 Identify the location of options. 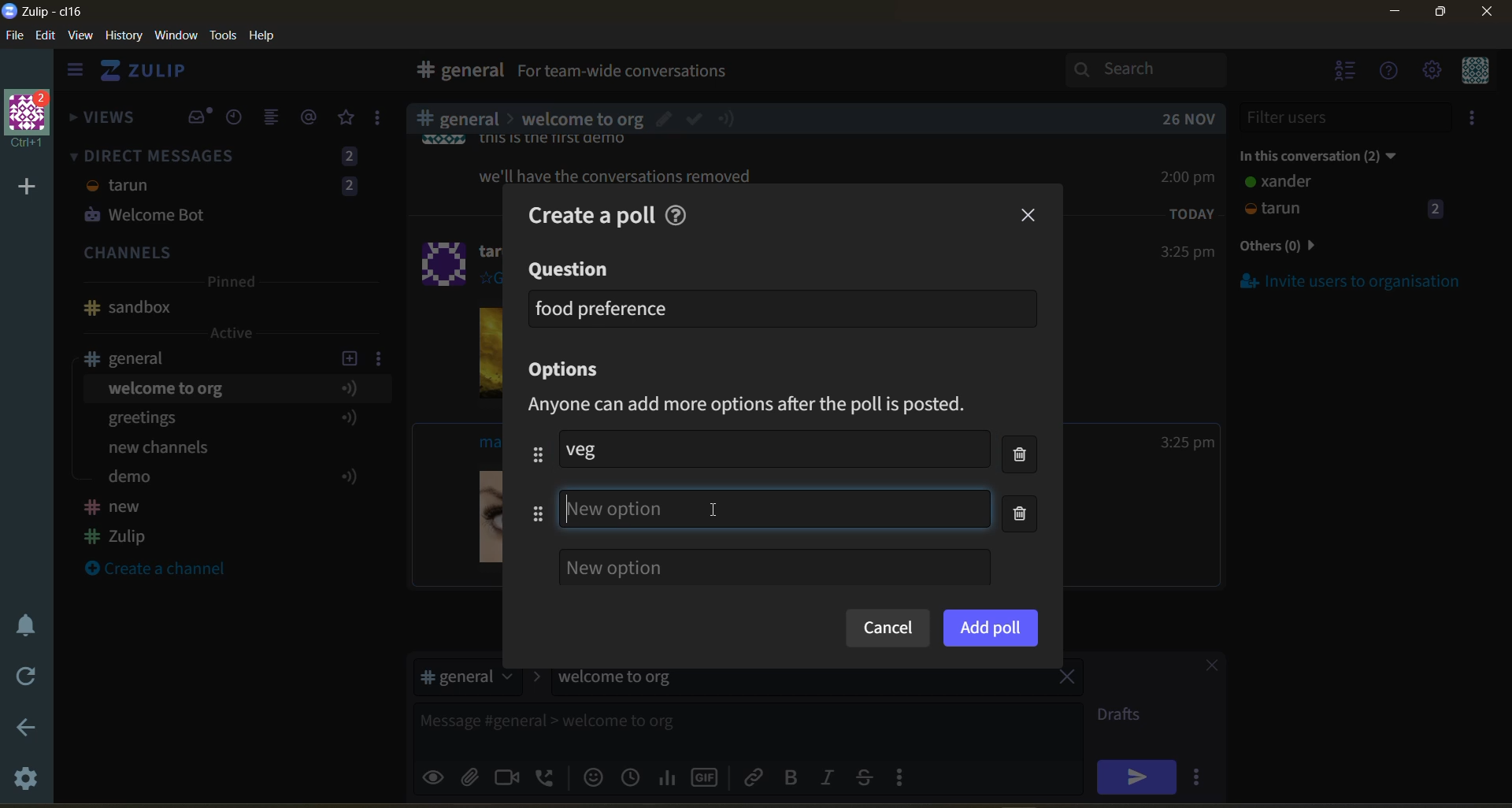
(570, 371).